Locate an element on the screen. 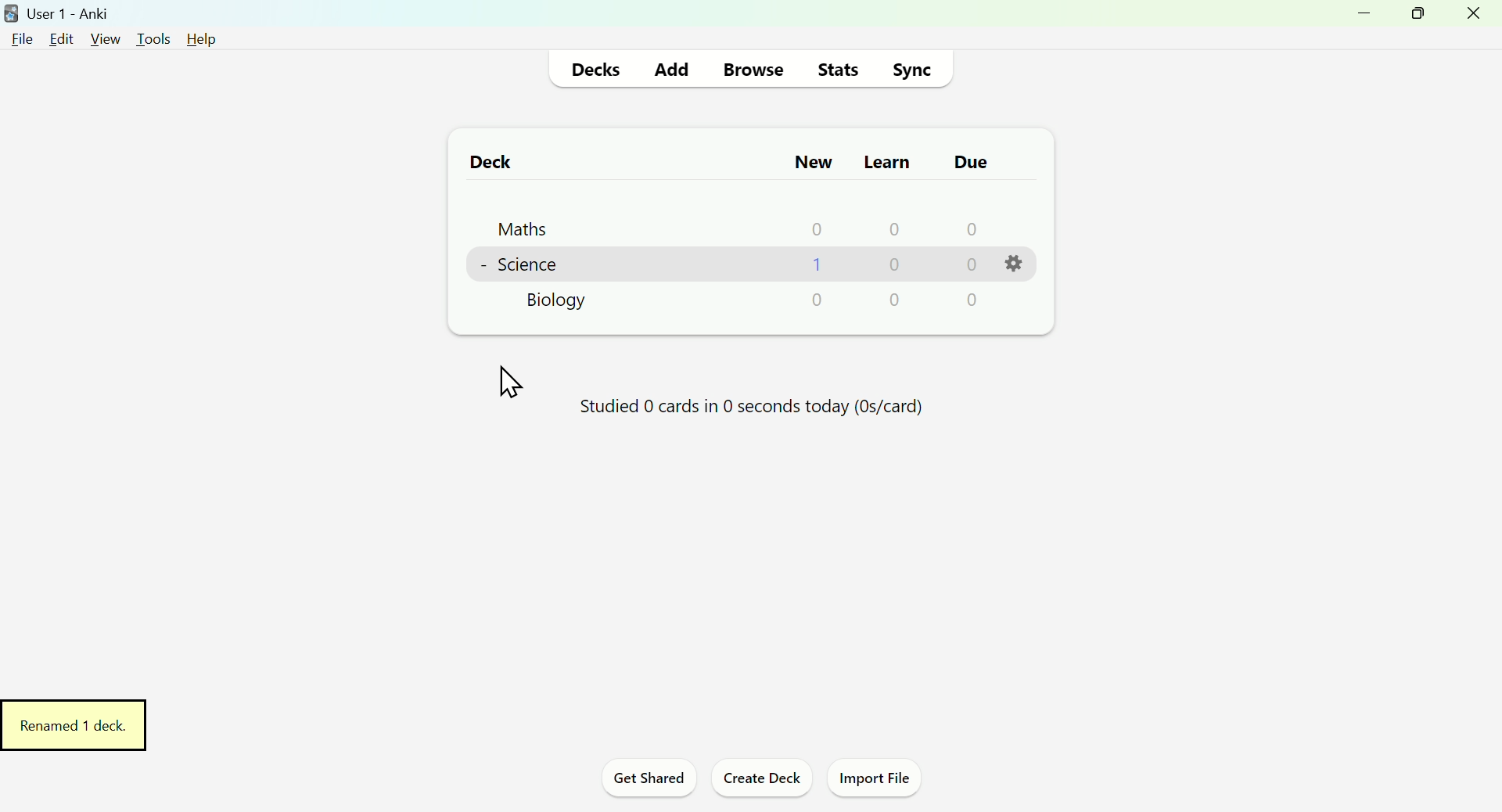 The width and height of the screenshot is (1502, 812). Settings is located at coordinates (1017, 264).